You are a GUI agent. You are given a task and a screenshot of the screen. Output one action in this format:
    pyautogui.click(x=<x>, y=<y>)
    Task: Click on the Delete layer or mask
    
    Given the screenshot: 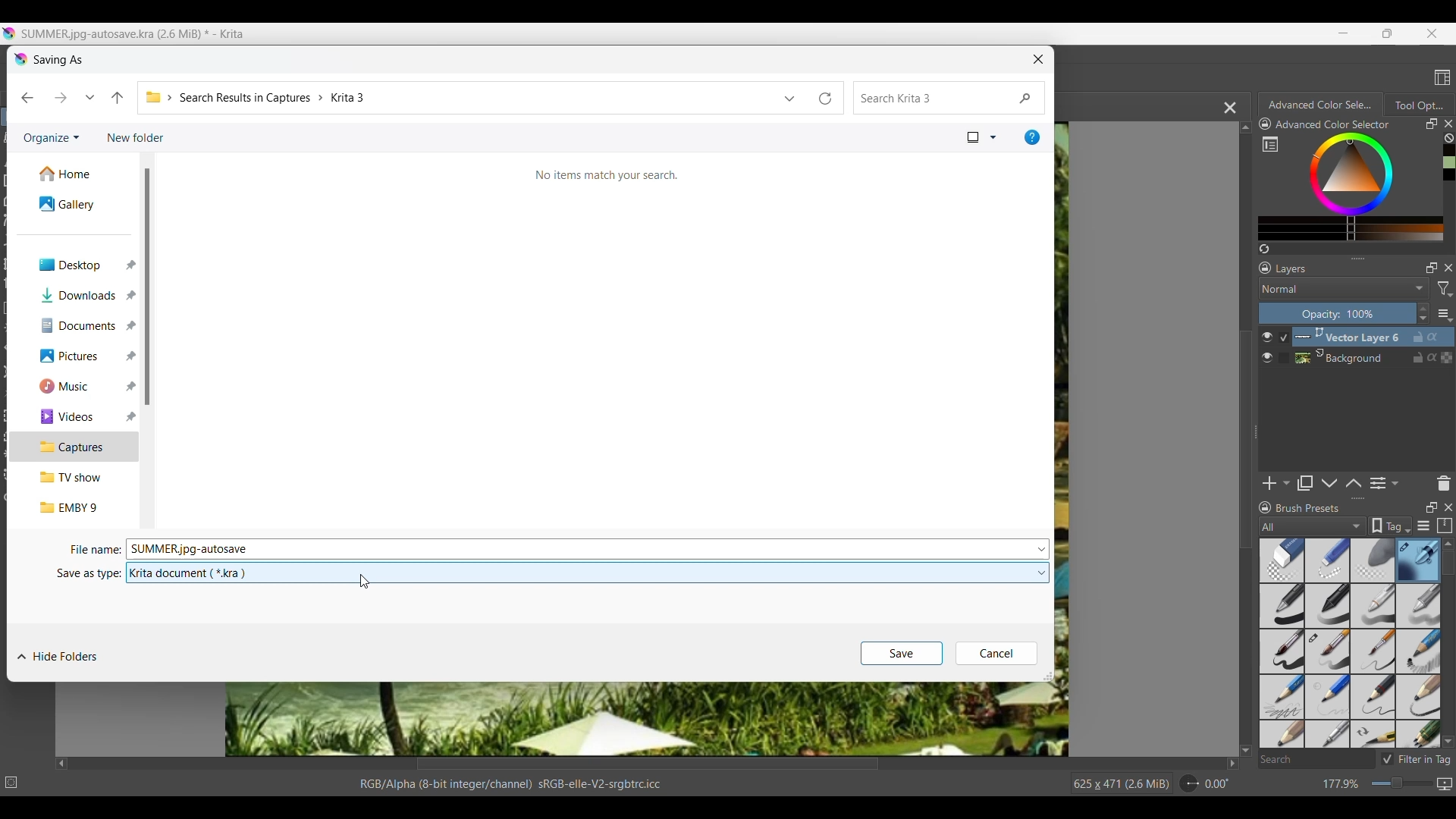 What is the action you would take?
    pyautogui.click(x=1443, y=484)
    